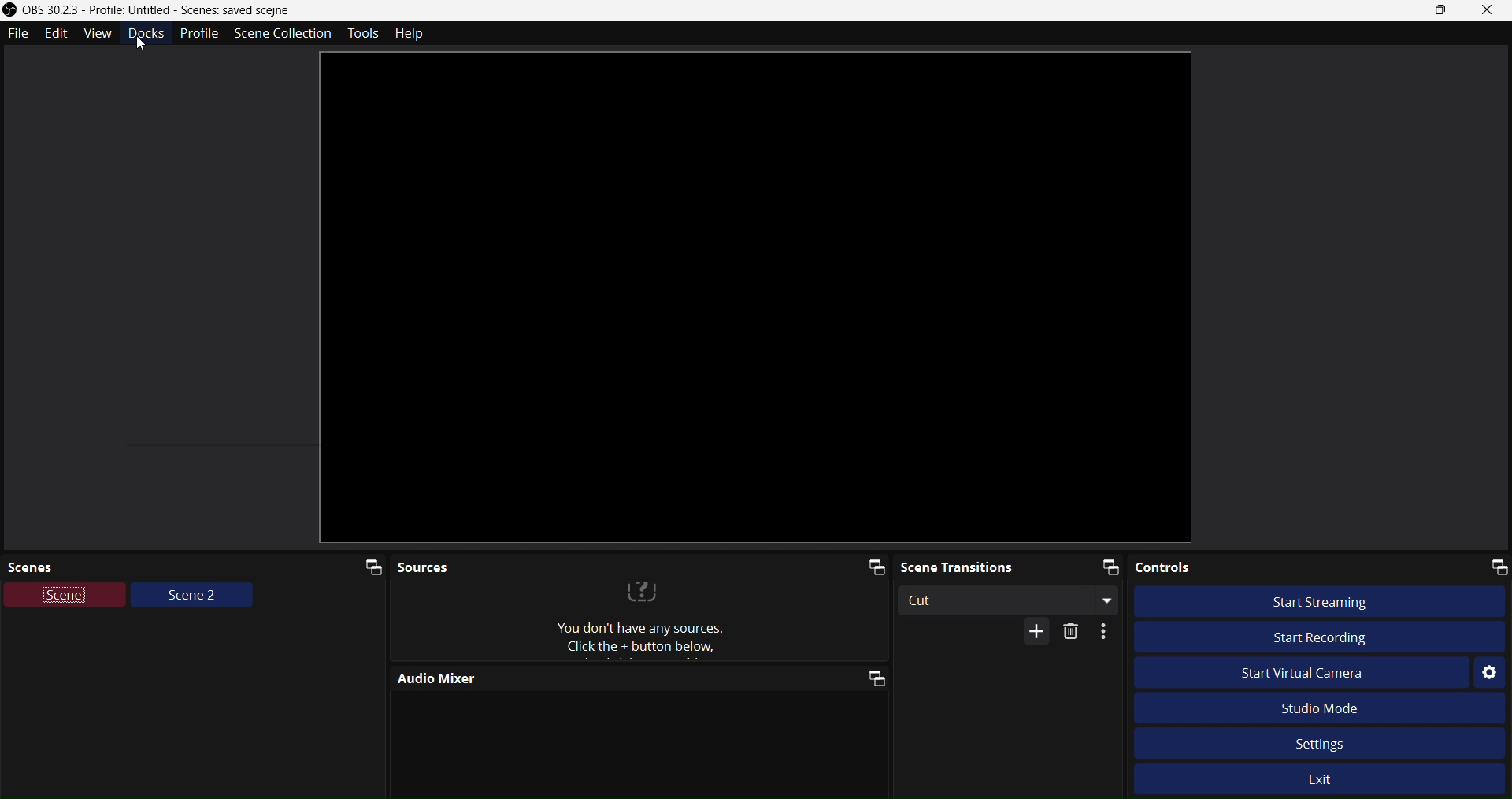 The width and height of the screenshot is (1512, 799). Describe the element at coordinates (1333, 782) in the screenshot. I see `Exit` at that location.